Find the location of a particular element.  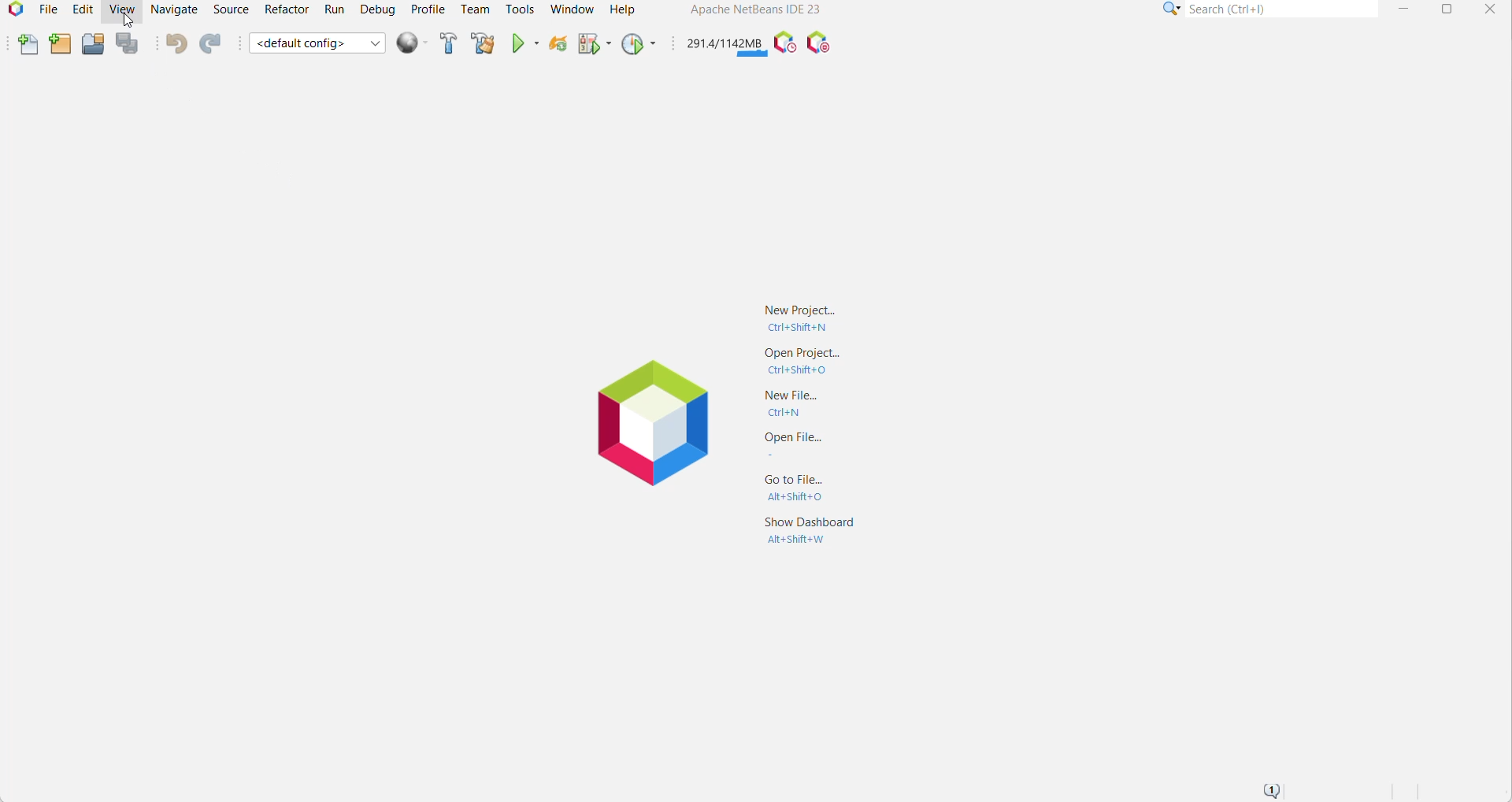

Save All is located at coordinates (128, 43).